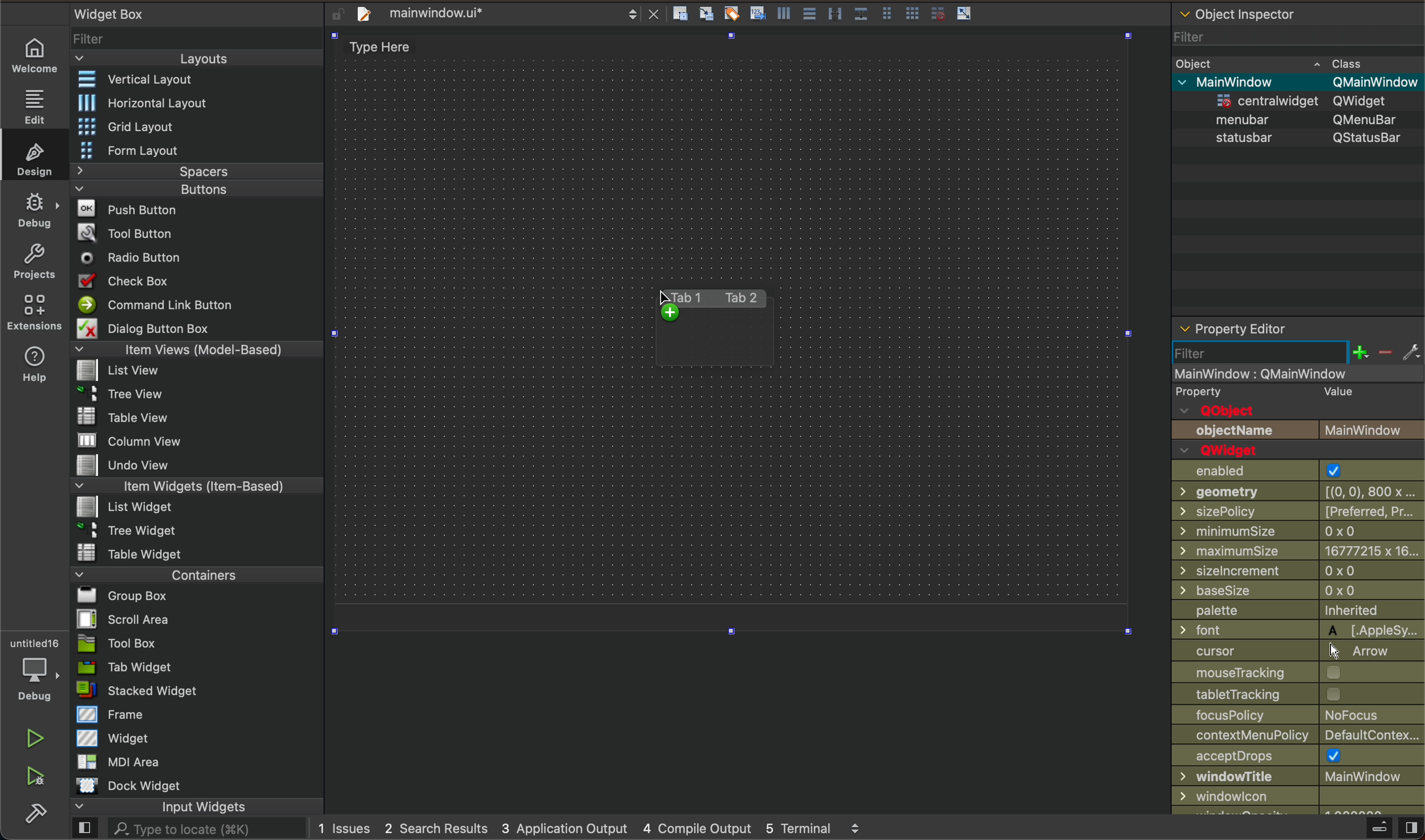  What do you see at coordinates (1194, 61) in the screenshot?
I see `Obiect` at bounding box center [1194, 61].